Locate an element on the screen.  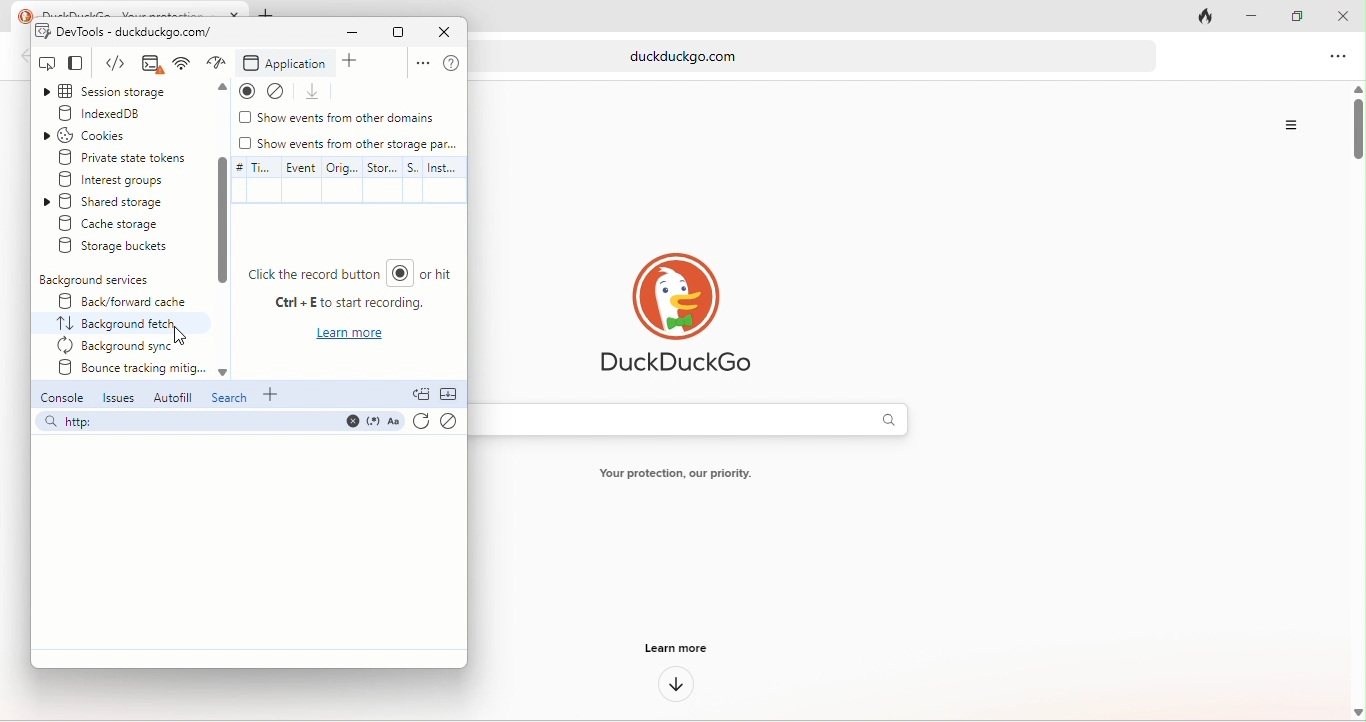
select option is located at coordinates (124, 324).